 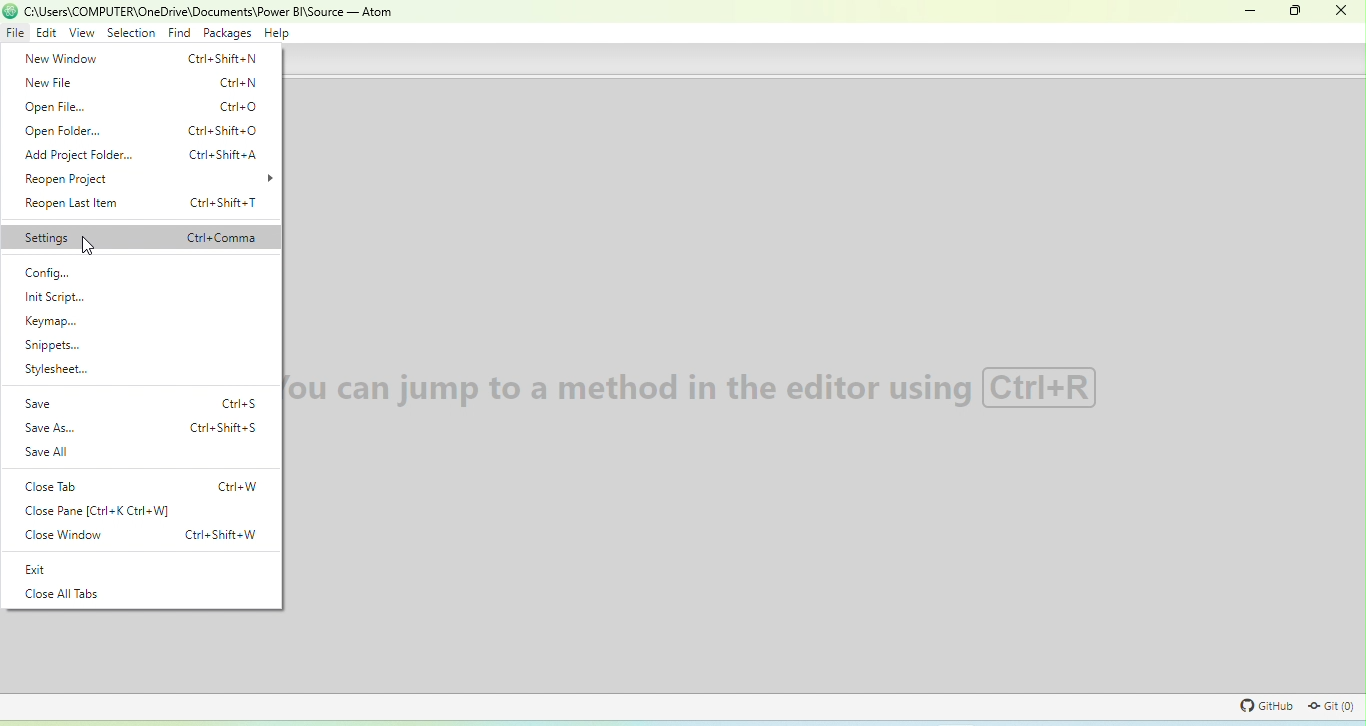 I want to click on find menu, so click(x=179, y=33).